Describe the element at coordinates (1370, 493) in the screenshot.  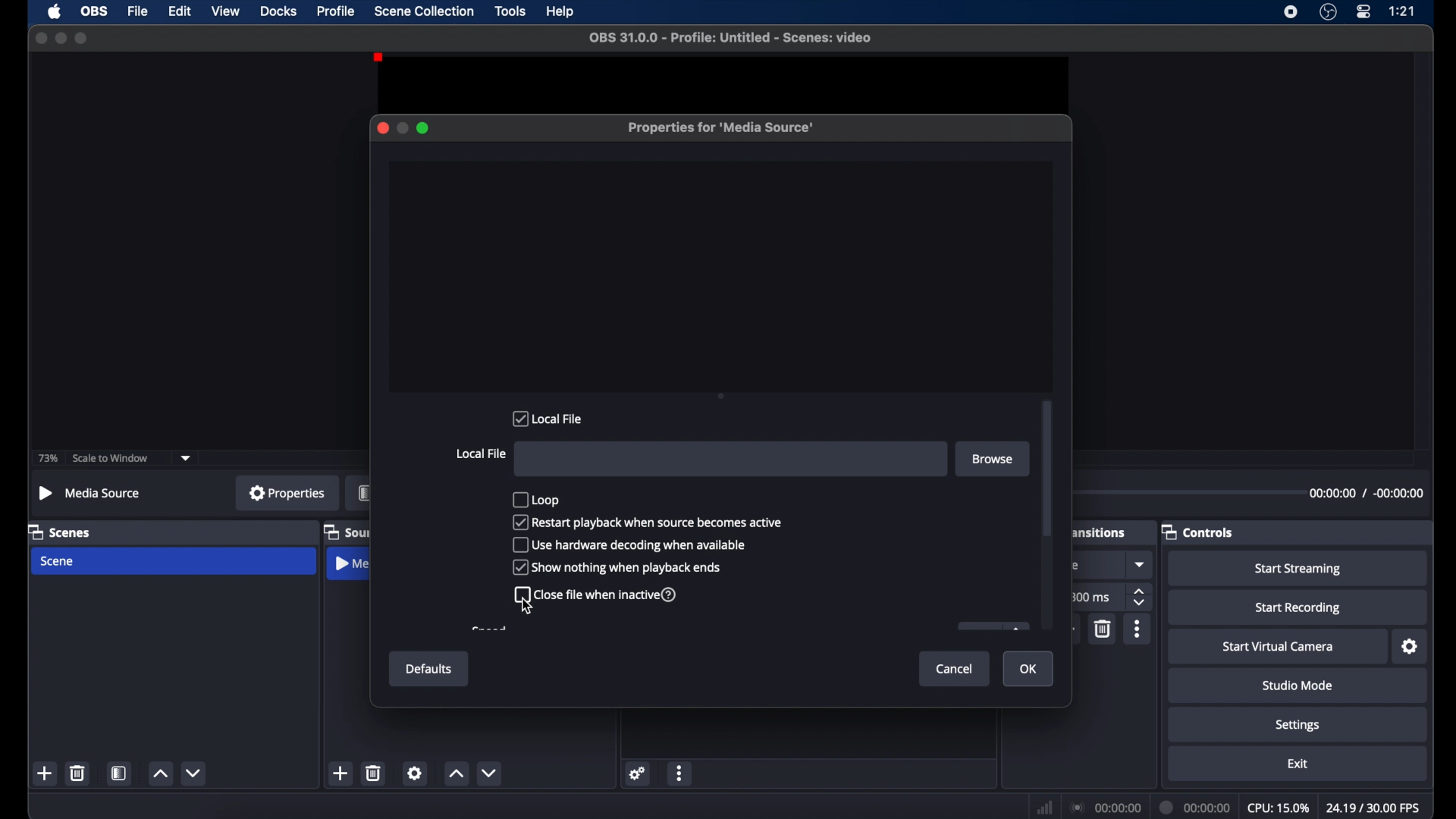
I see `timestamp` at that location.